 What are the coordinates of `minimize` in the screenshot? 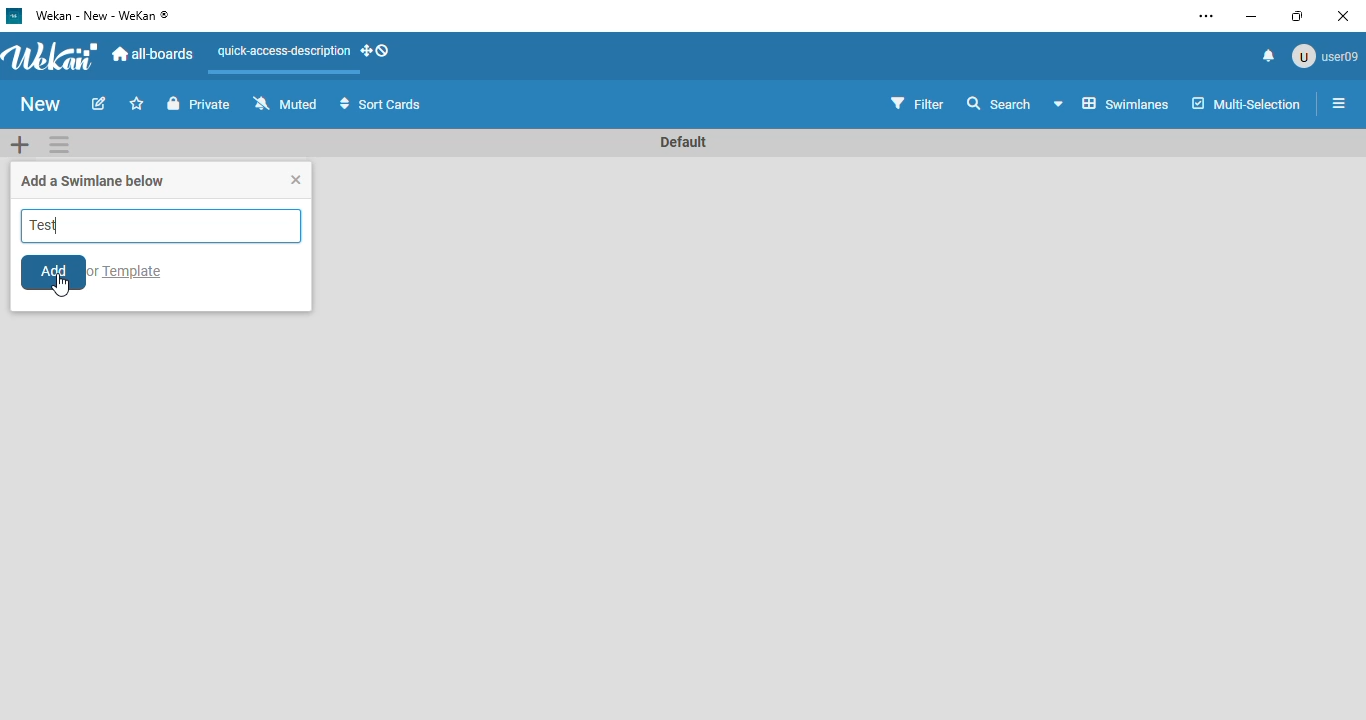 It's located at (1252, 17).